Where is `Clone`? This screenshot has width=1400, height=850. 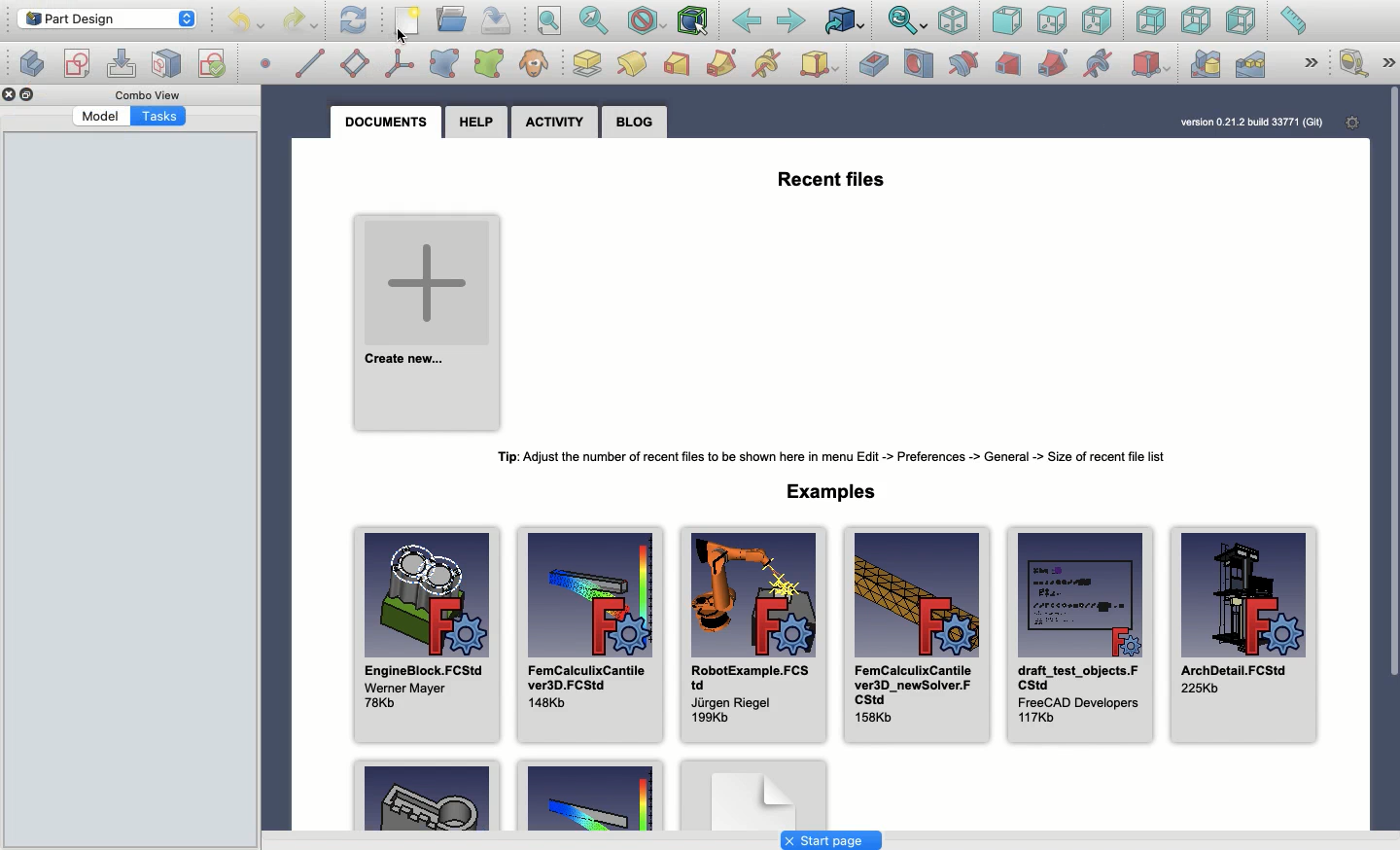
Clone is located at coordinates (534, 65).